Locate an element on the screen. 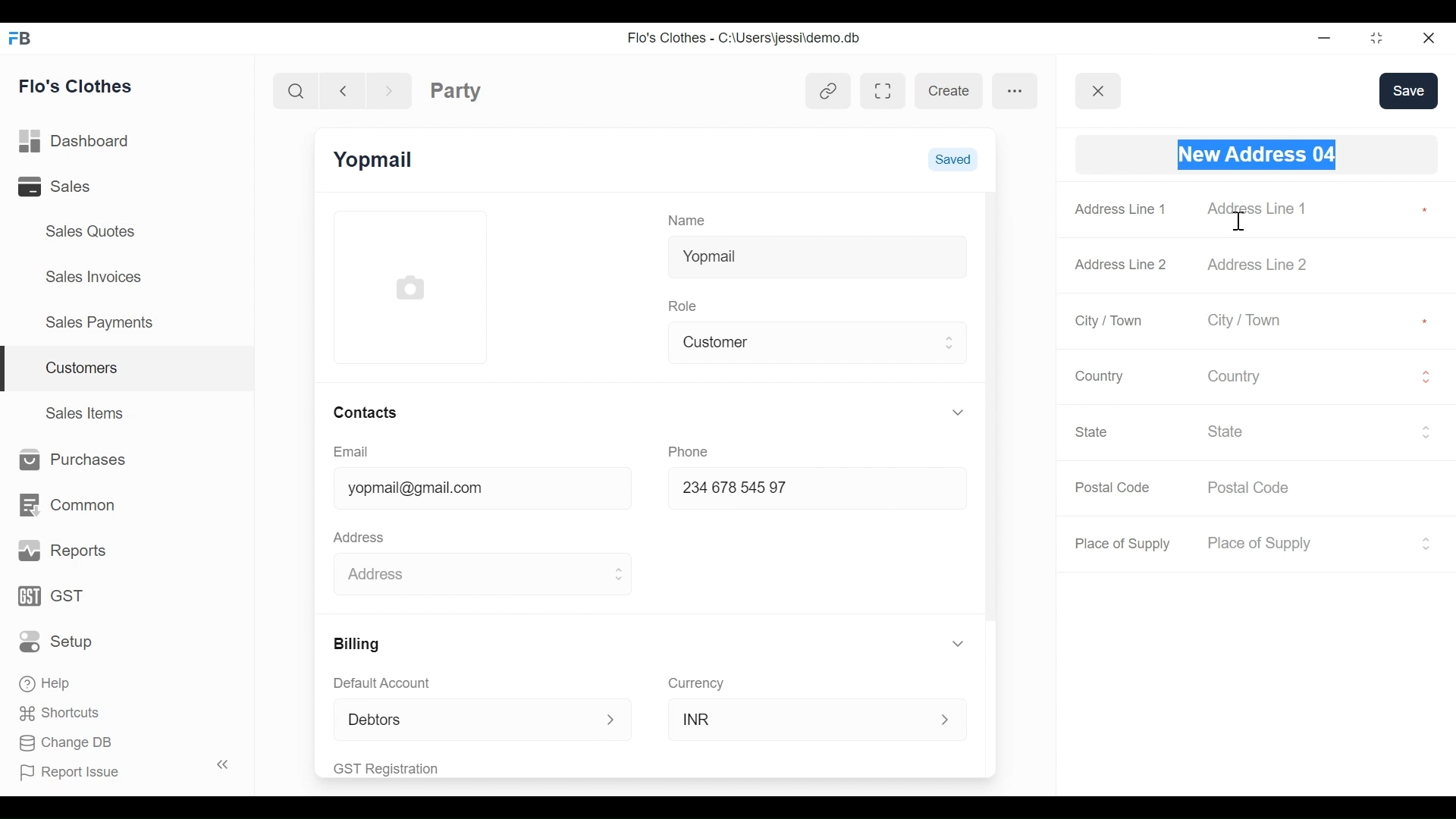 This screenshot has height=819, width=1456. Expand is located at coordinates (1425, 543).